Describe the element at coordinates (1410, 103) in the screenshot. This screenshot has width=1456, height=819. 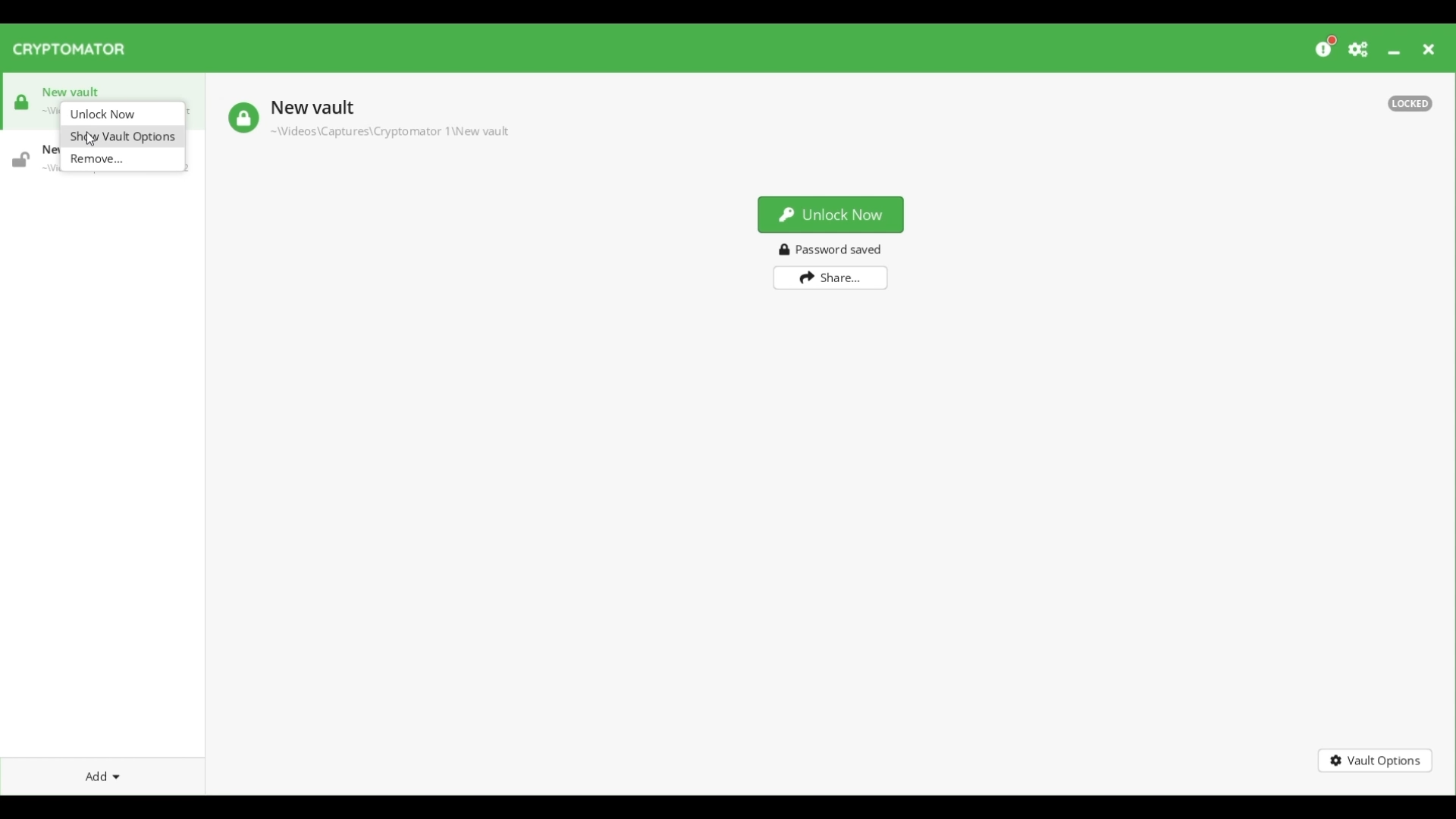
I see `Status of selected vault` at that location.